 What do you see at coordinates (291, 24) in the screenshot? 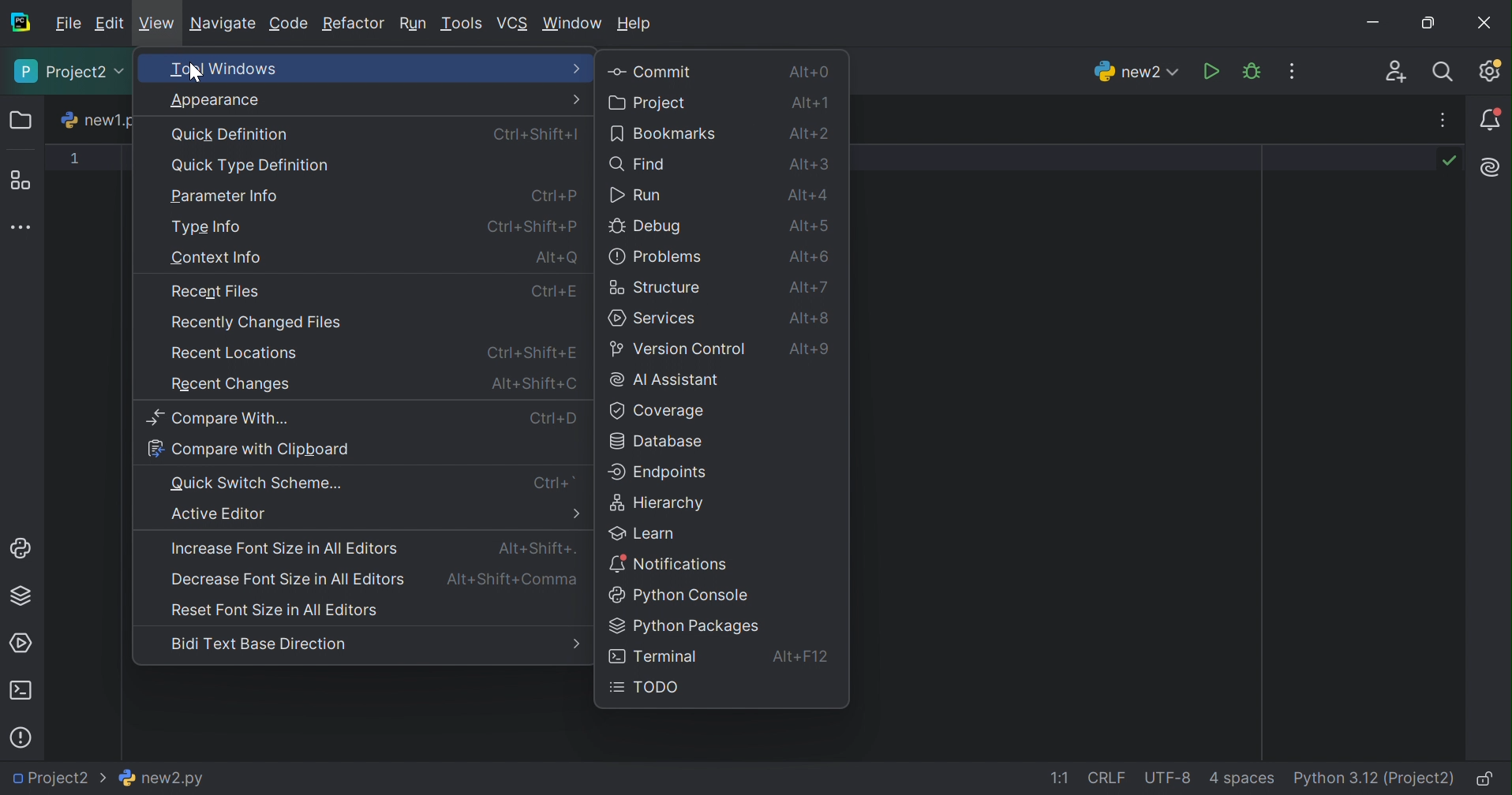
I see `` at bounding box center [291, 24].